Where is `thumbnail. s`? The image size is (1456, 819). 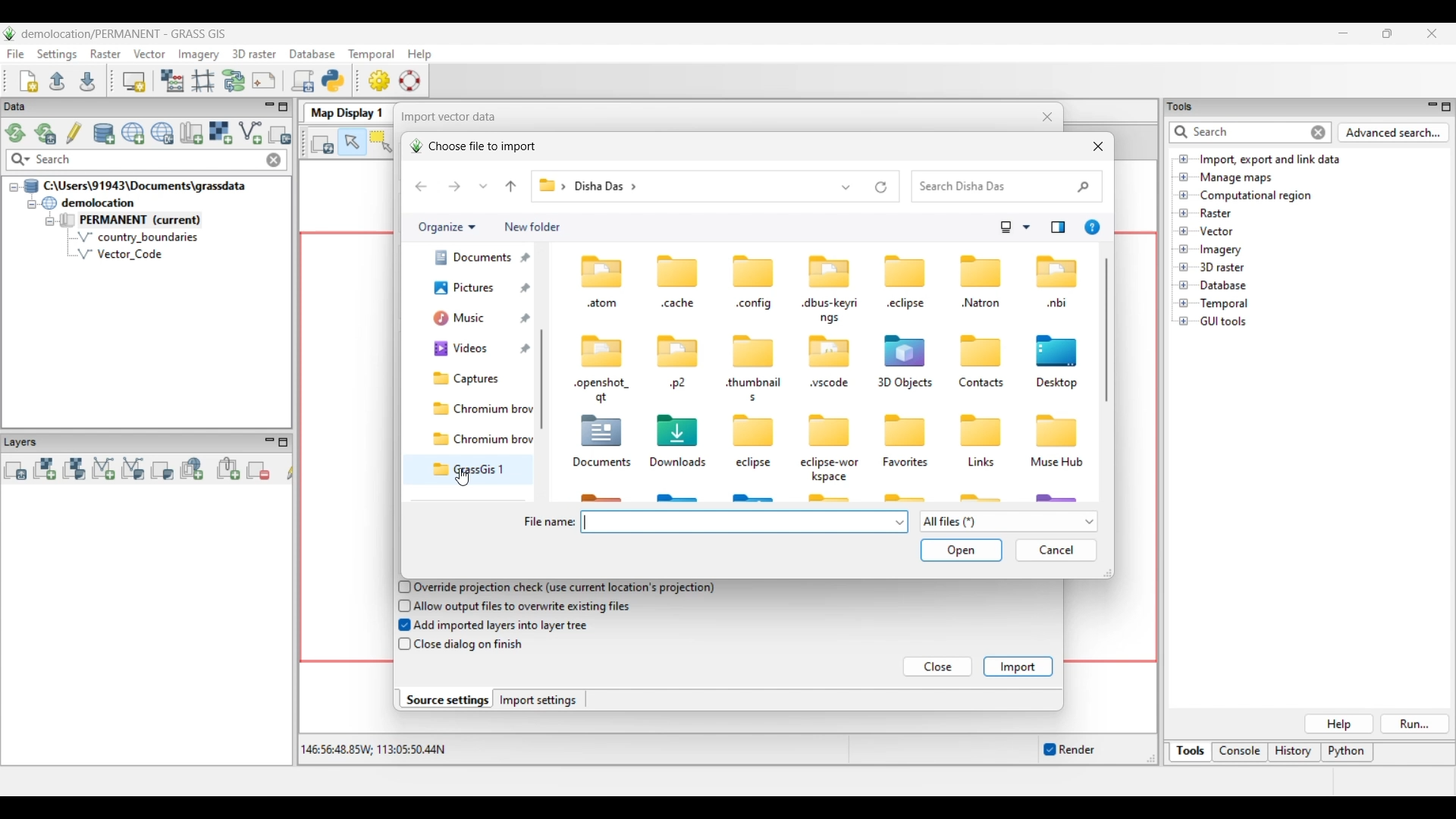 thumbnail. s is located at coordinates (752, 390).